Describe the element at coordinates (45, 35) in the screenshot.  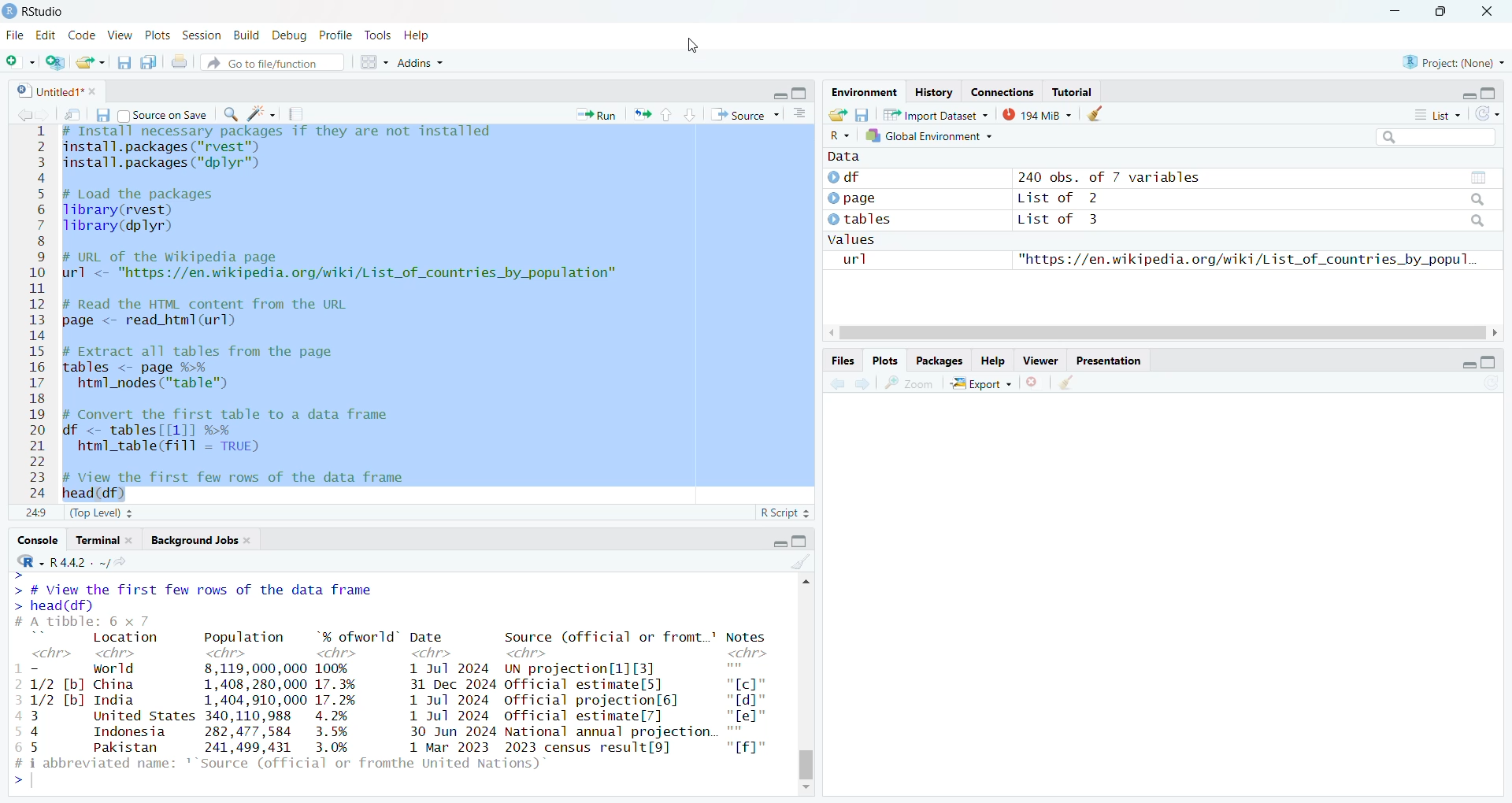
I see `Edit` at that location.